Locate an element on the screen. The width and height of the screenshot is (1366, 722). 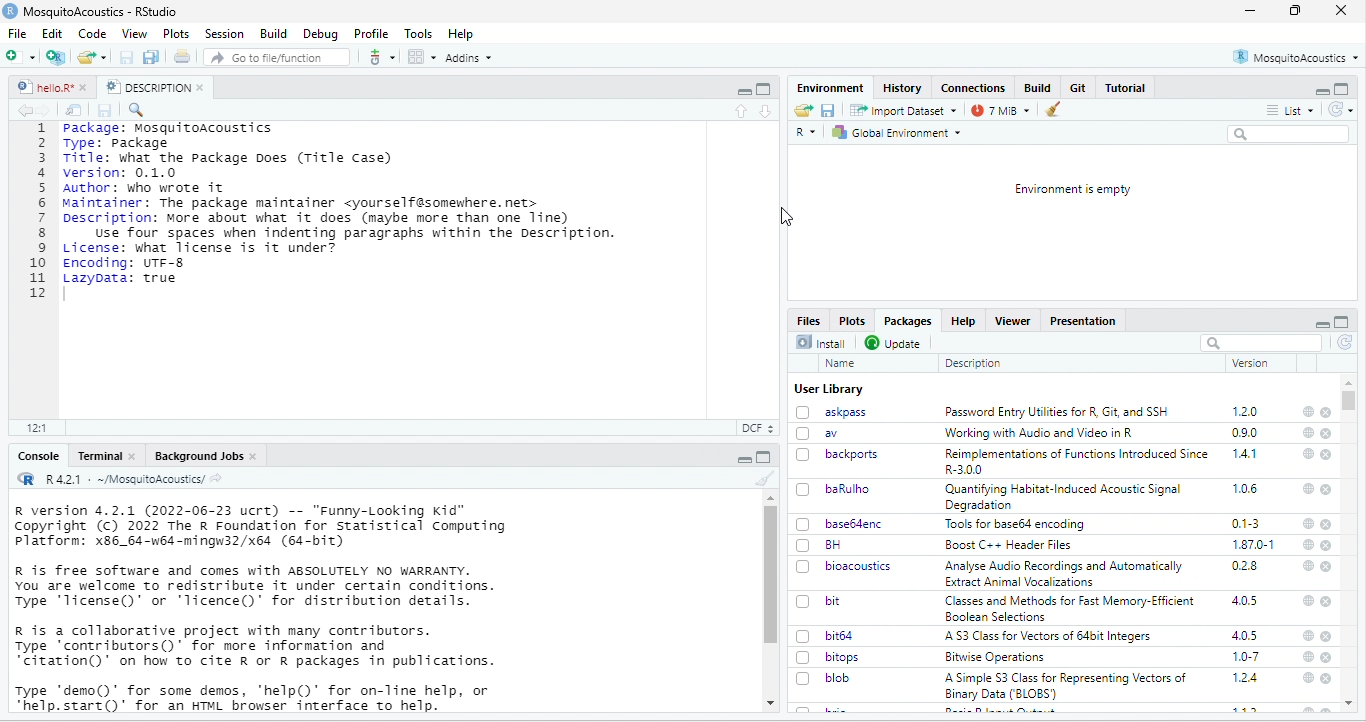
Git is located at coordinates (1079, 88).